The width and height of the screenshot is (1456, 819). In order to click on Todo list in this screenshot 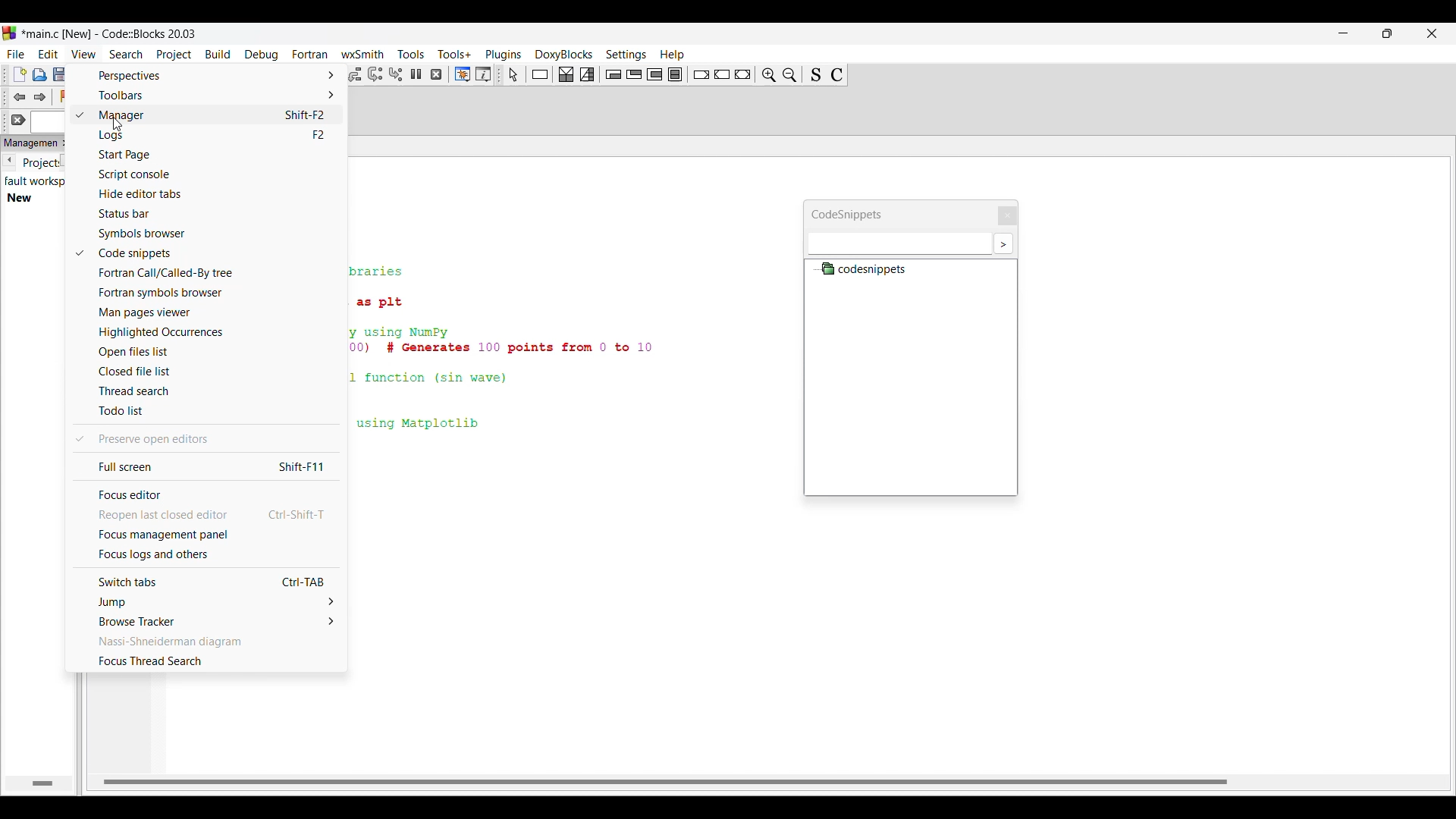, I will do `click(216, 411)`.